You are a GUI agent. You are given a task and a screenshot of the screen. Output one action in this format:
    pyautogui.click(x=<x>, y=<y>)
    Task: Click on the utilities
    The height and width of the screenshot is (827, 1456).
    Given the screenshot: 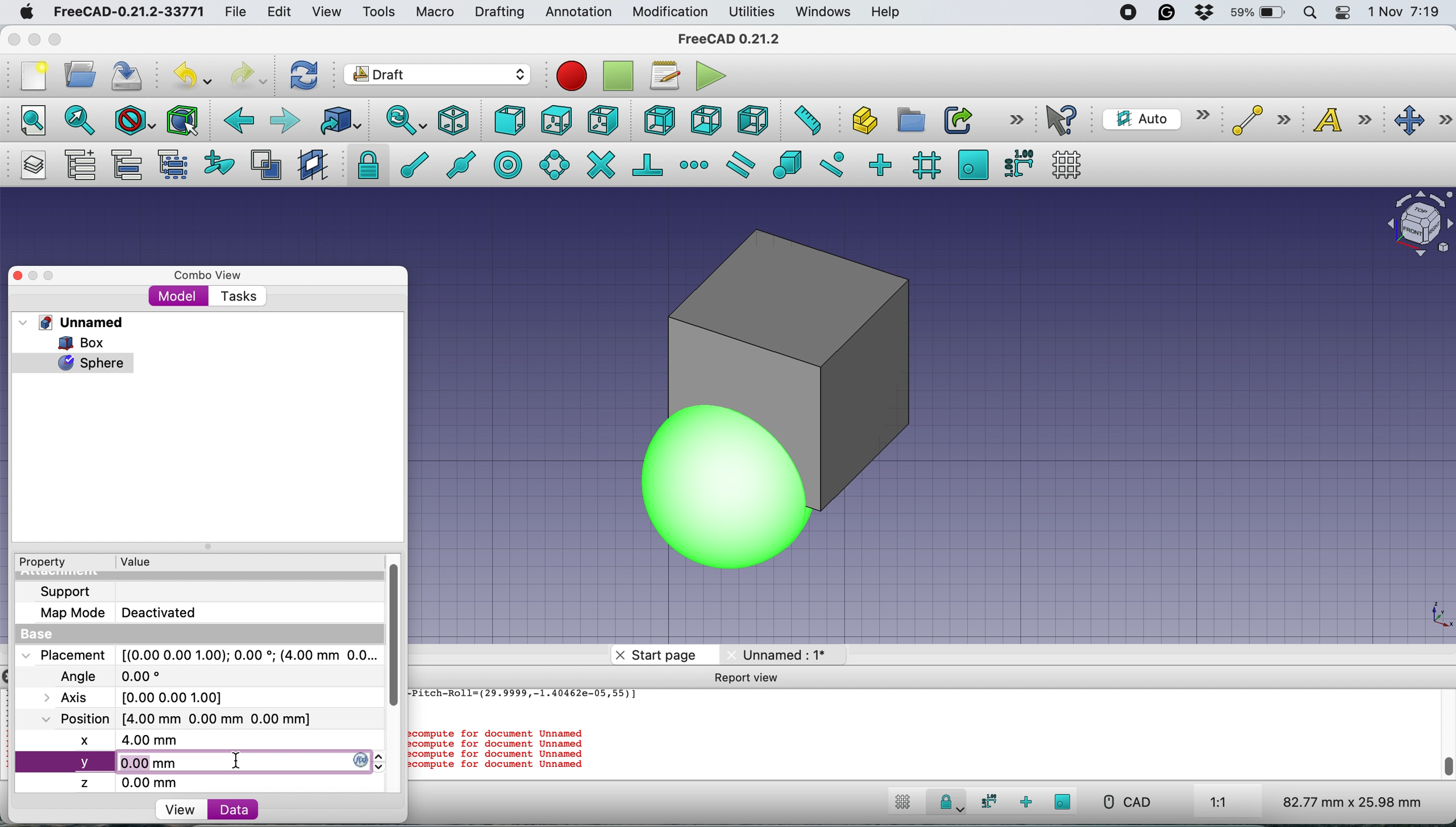 What is the action you would take?
    pyautogui.click(x=753, y=12)
    